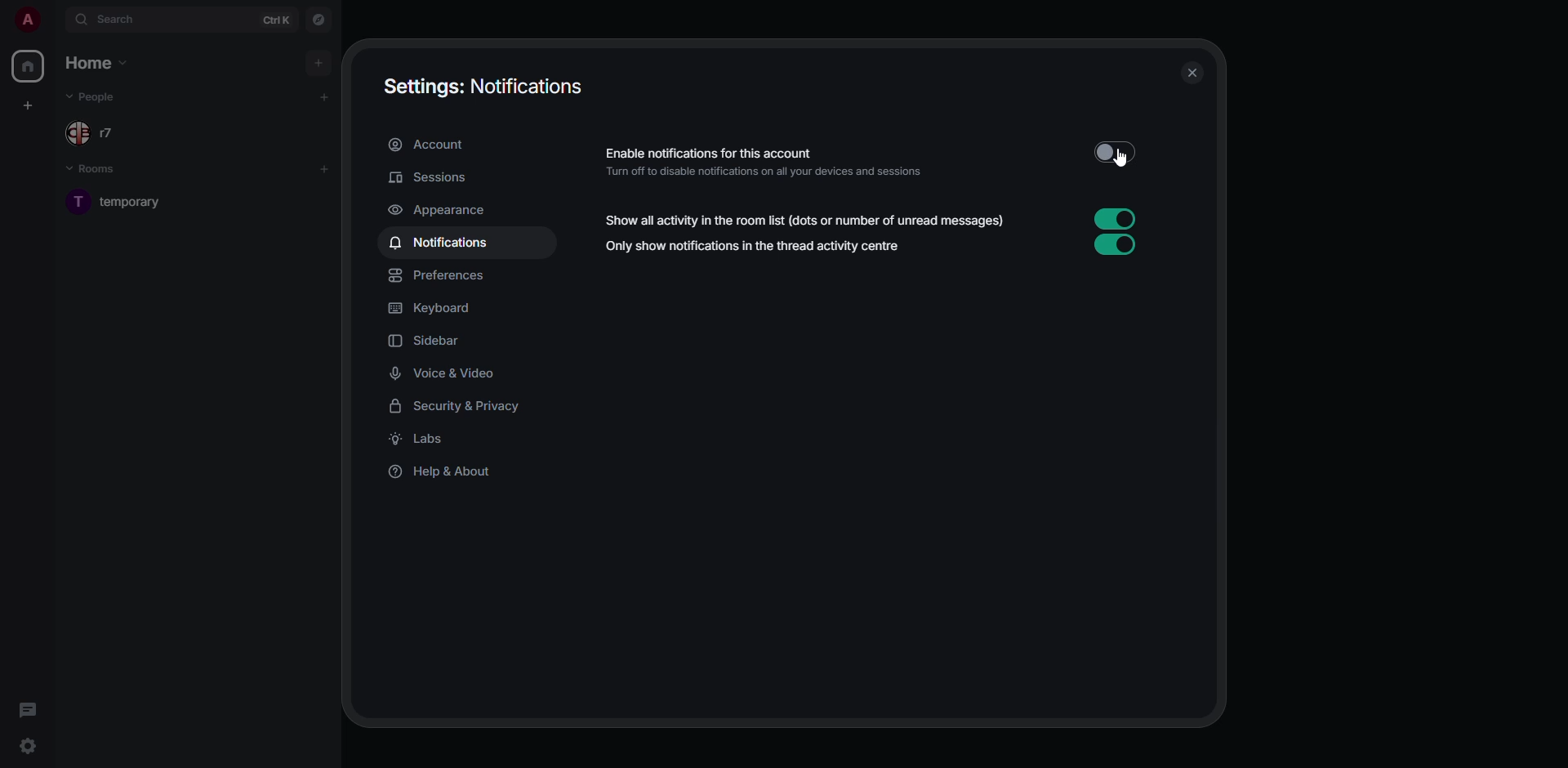 This screenshot has height=768, width=1568. I want to click on threads, so click(28, 710).